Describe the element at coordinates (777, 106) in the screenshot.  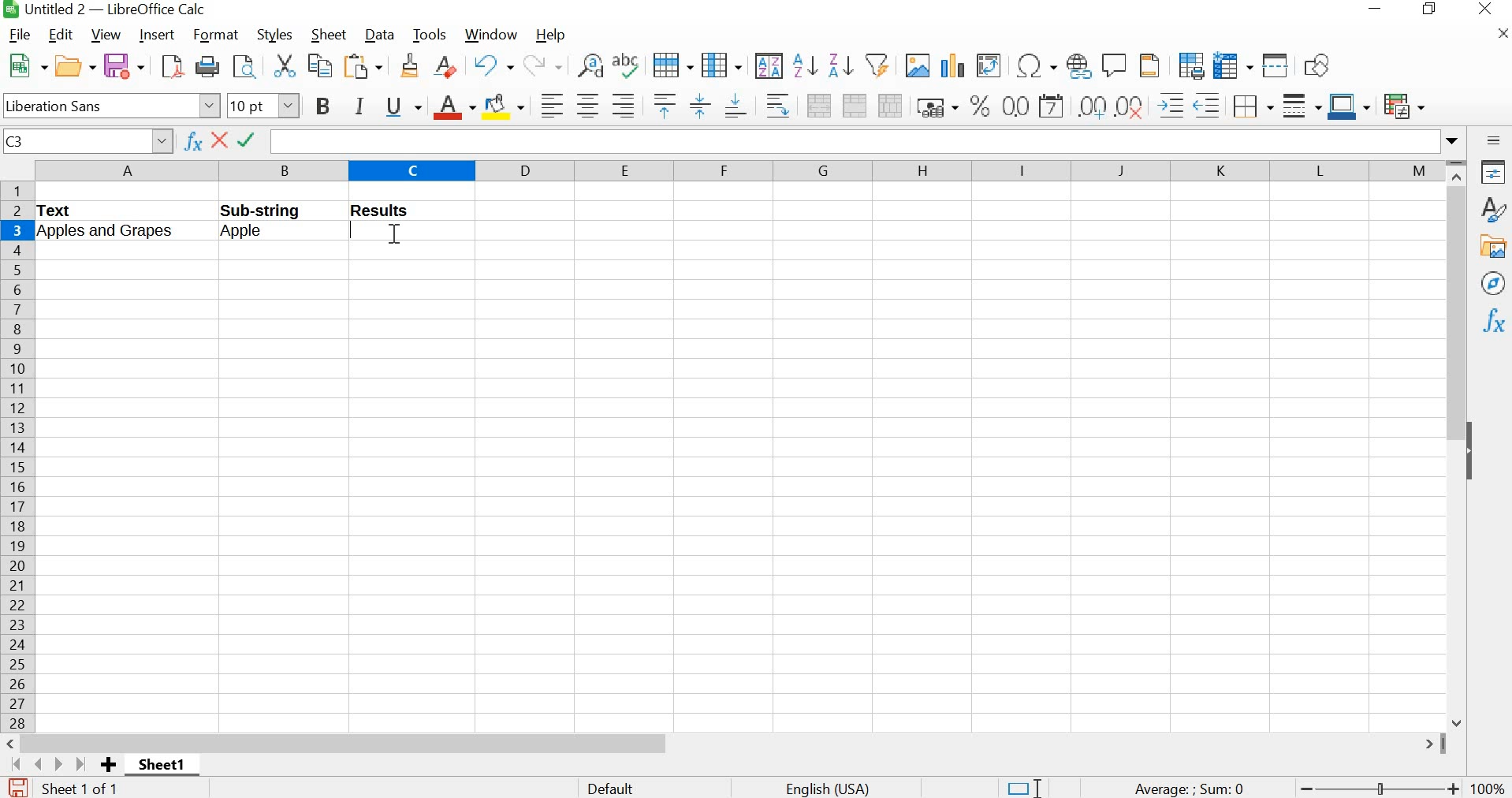
I see `wrap text` at that location.